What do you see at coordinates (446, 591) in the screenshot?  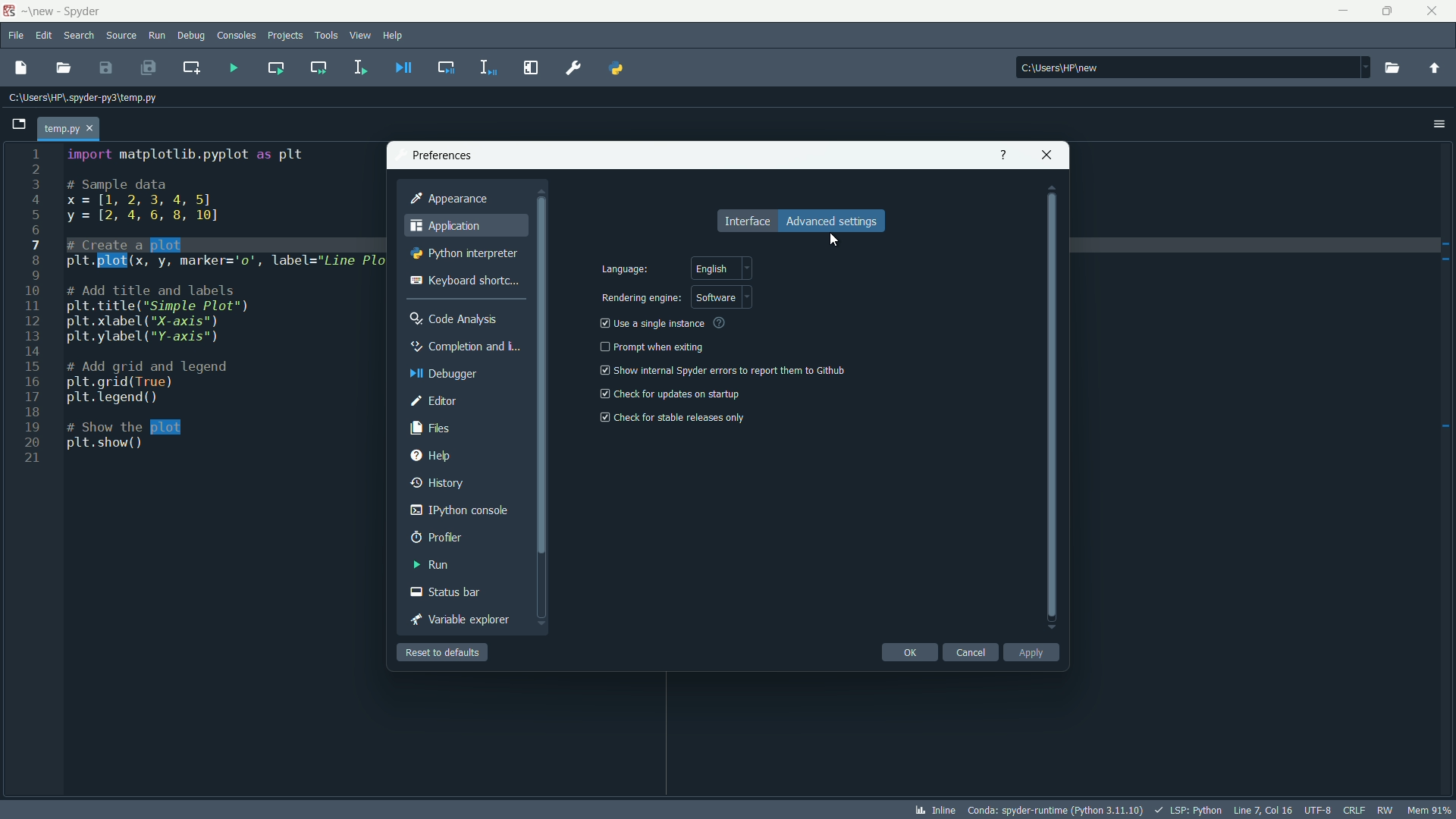 I see `status bar` at bounding box center [446, 591].